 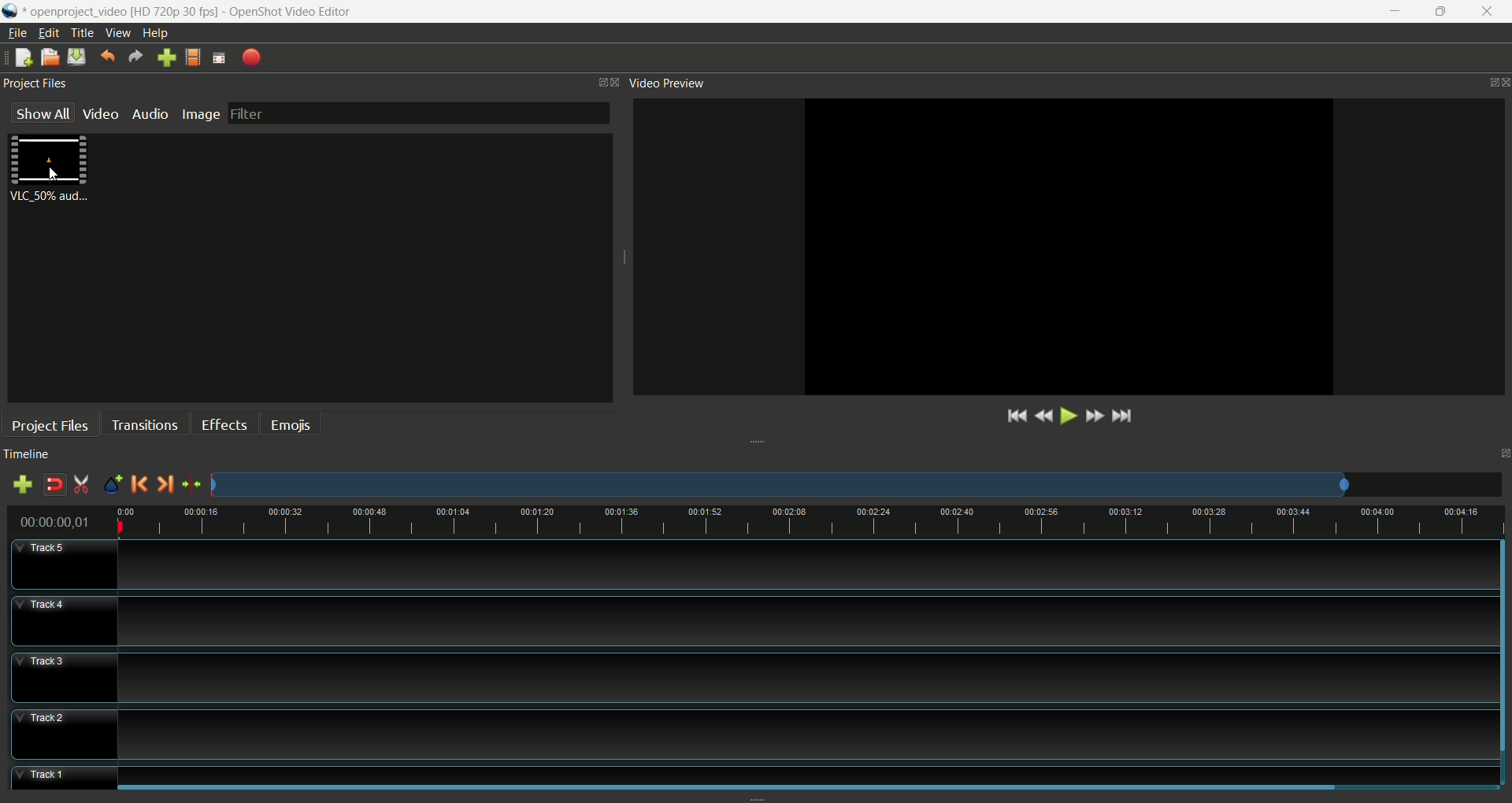 I want to click on help, so click(x=154, y=34).